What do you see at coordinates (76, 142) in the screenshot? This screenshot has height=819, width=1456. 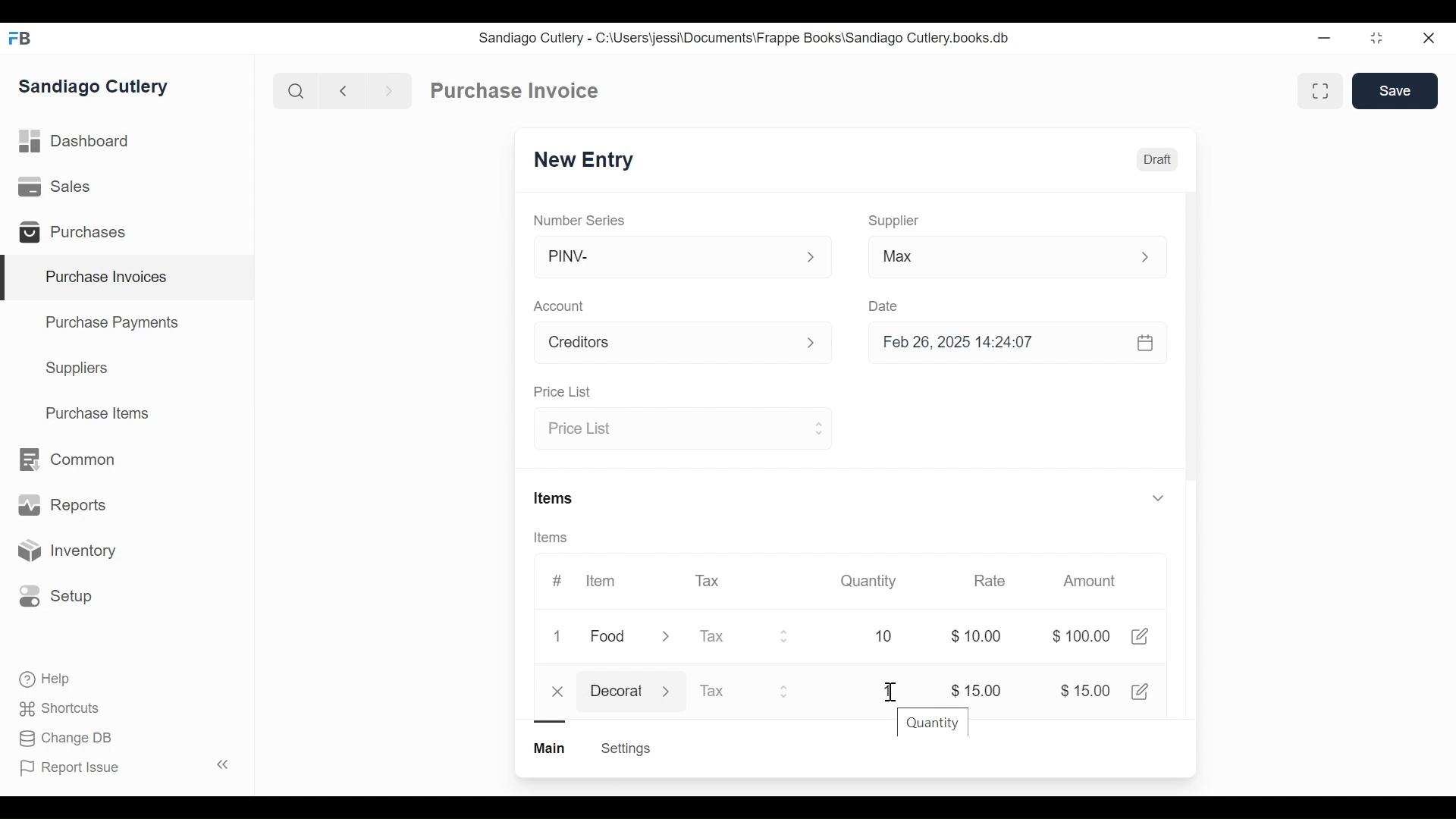 I see `Dashboard` at bounding box center [76, 142].